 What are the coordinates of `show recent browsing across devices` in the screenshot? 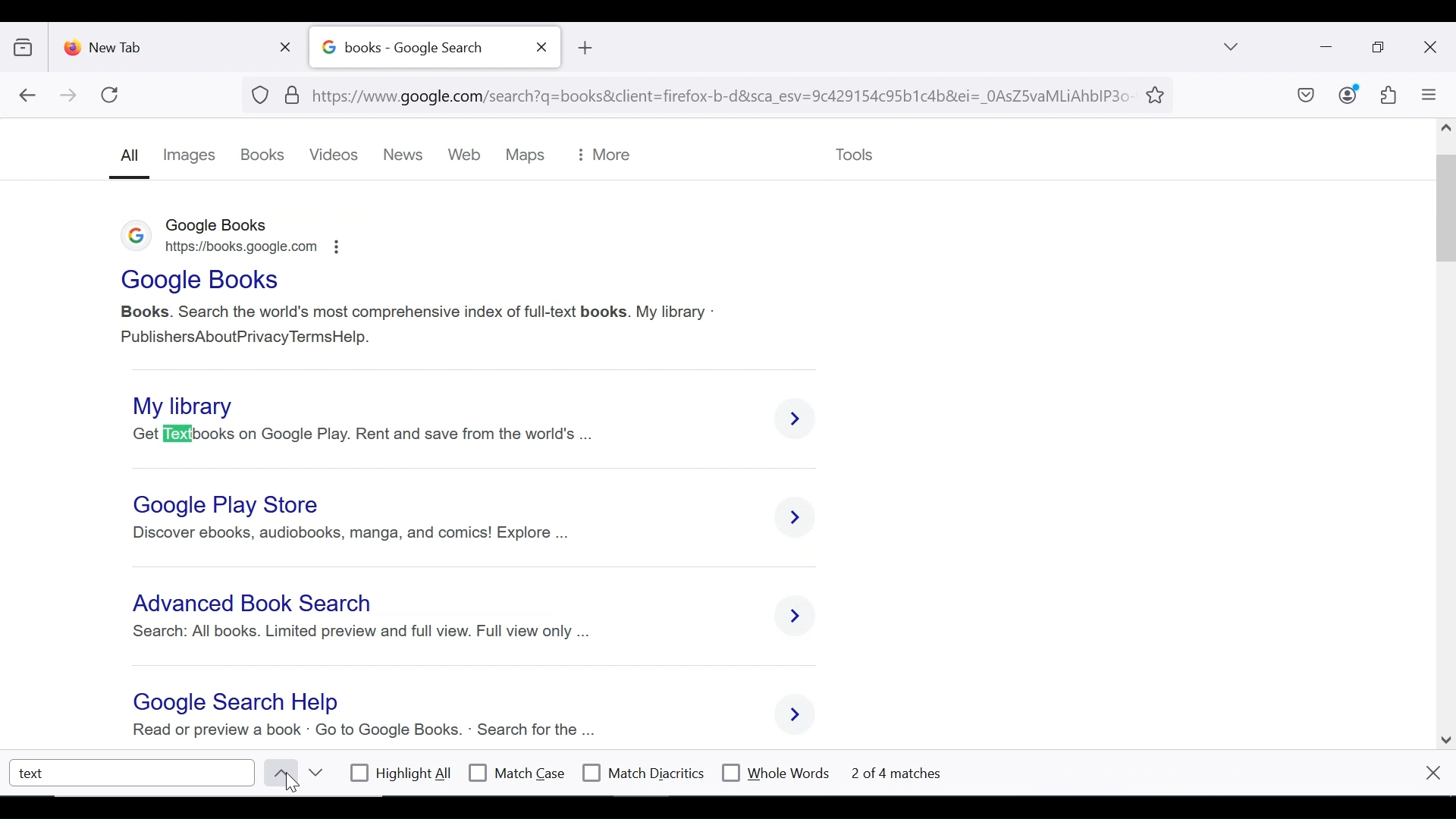 It's located at (27, 45).